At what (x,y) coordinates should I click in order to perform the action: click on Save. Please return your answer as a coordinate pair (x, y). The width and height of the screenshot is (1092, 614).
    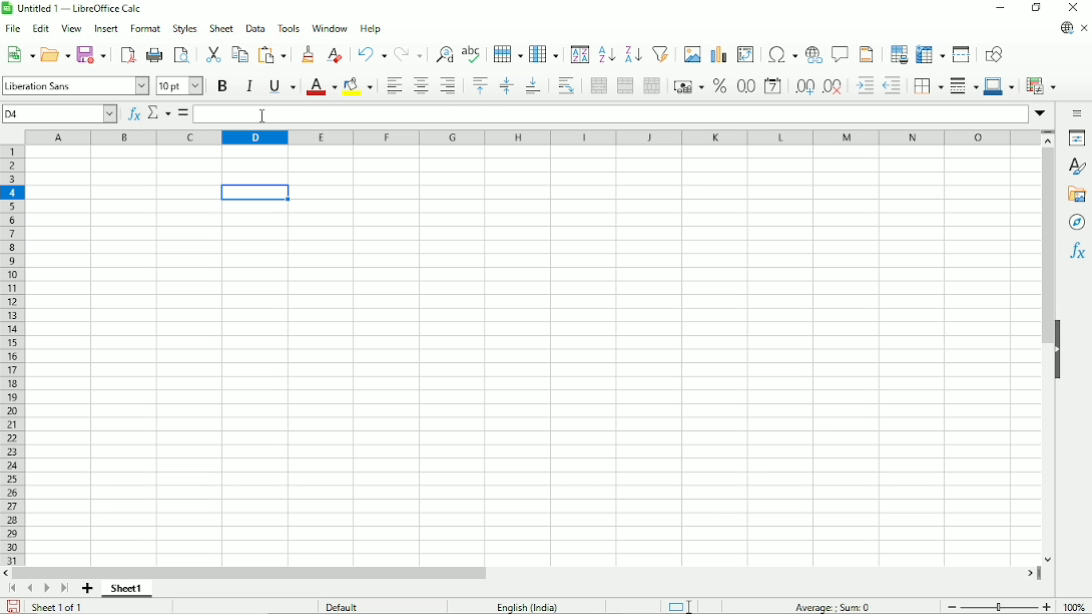
    Looking at the image, I should click on (92, 54).